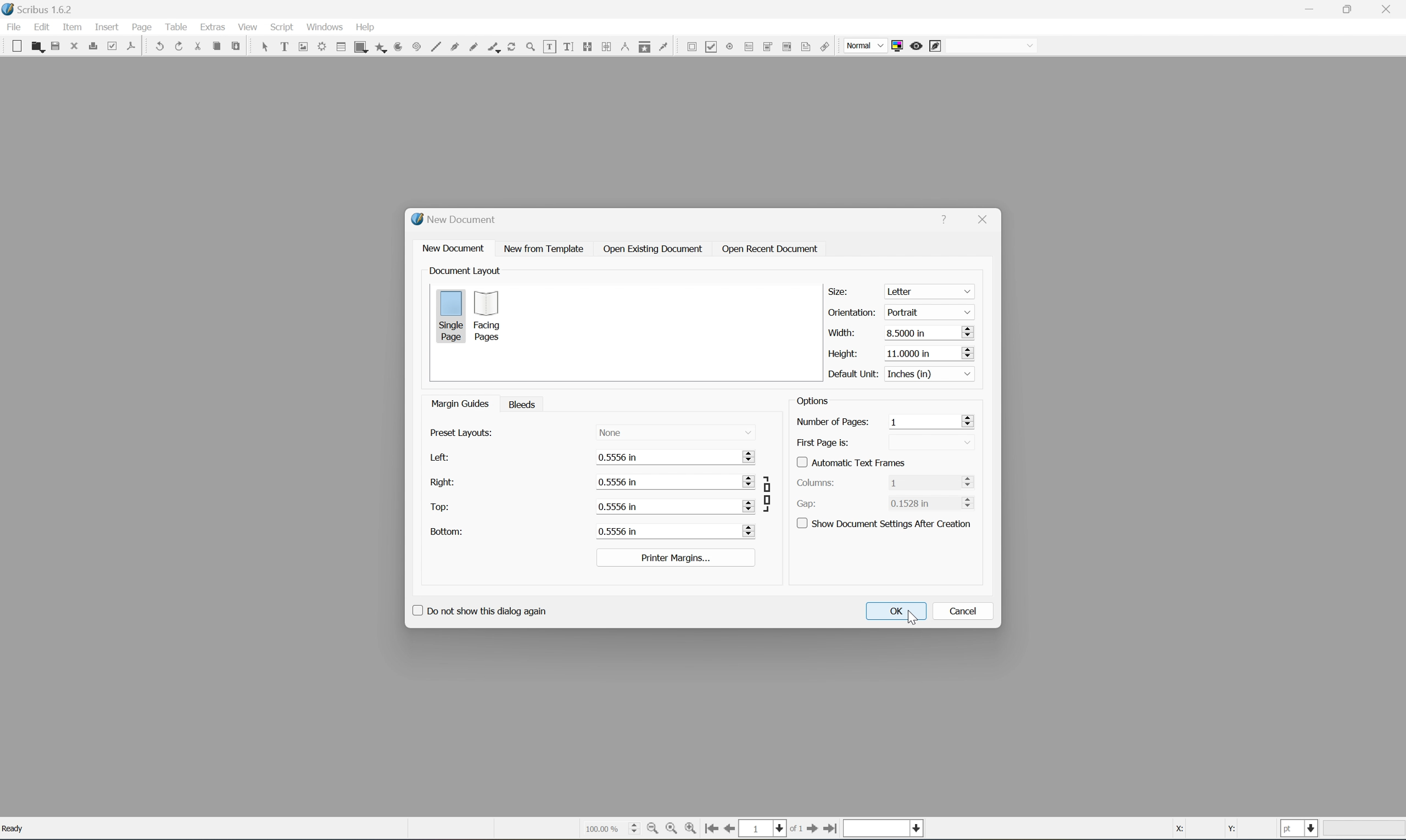 The width and height of the screenshot is (1406, 840). What do you see at coordinates (1390, 10) in the screenshot?
I see `close` at bounding box center [1390, 10].